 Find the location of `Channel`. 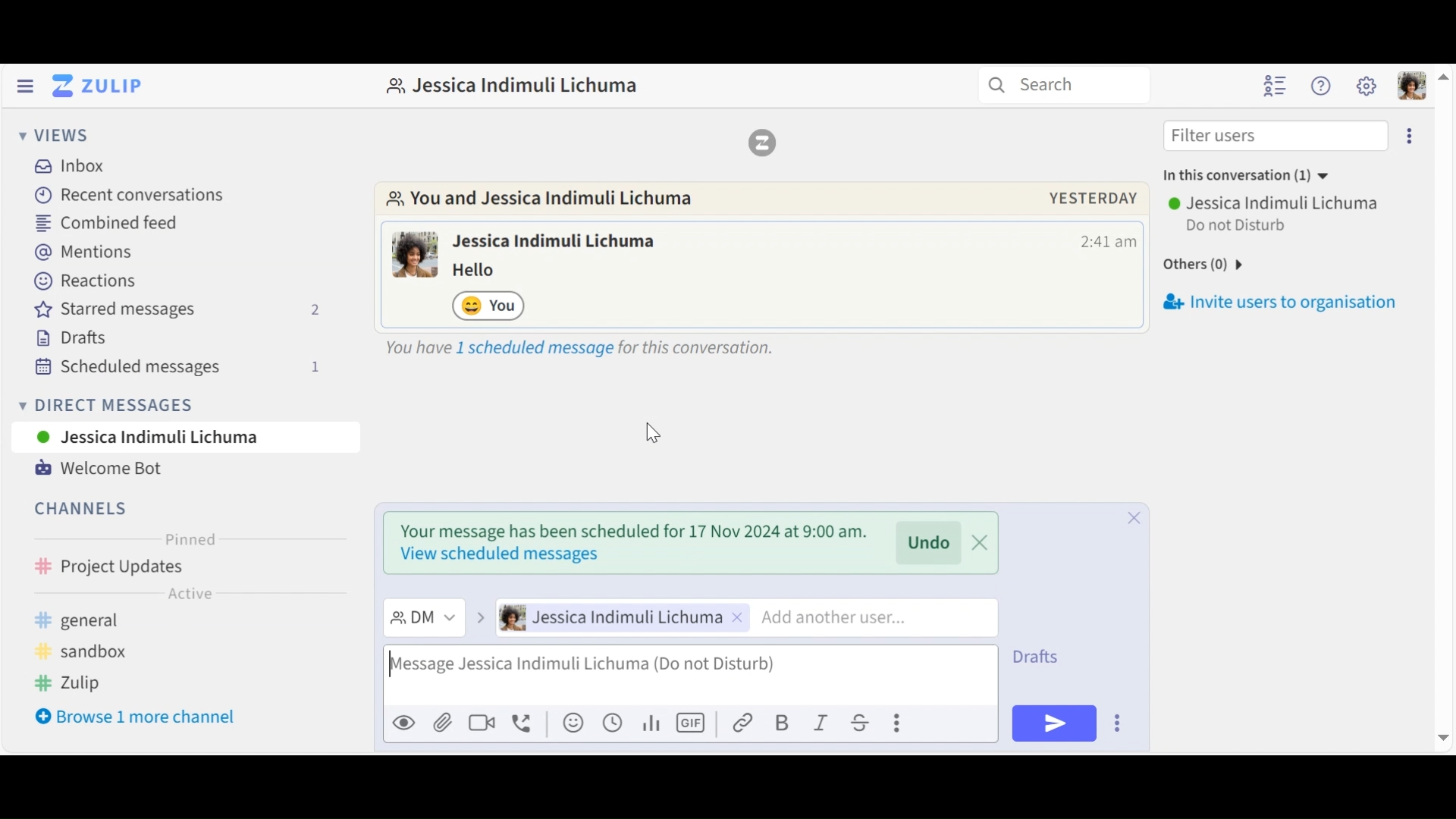

Channel is located at coordinates (181, 566).